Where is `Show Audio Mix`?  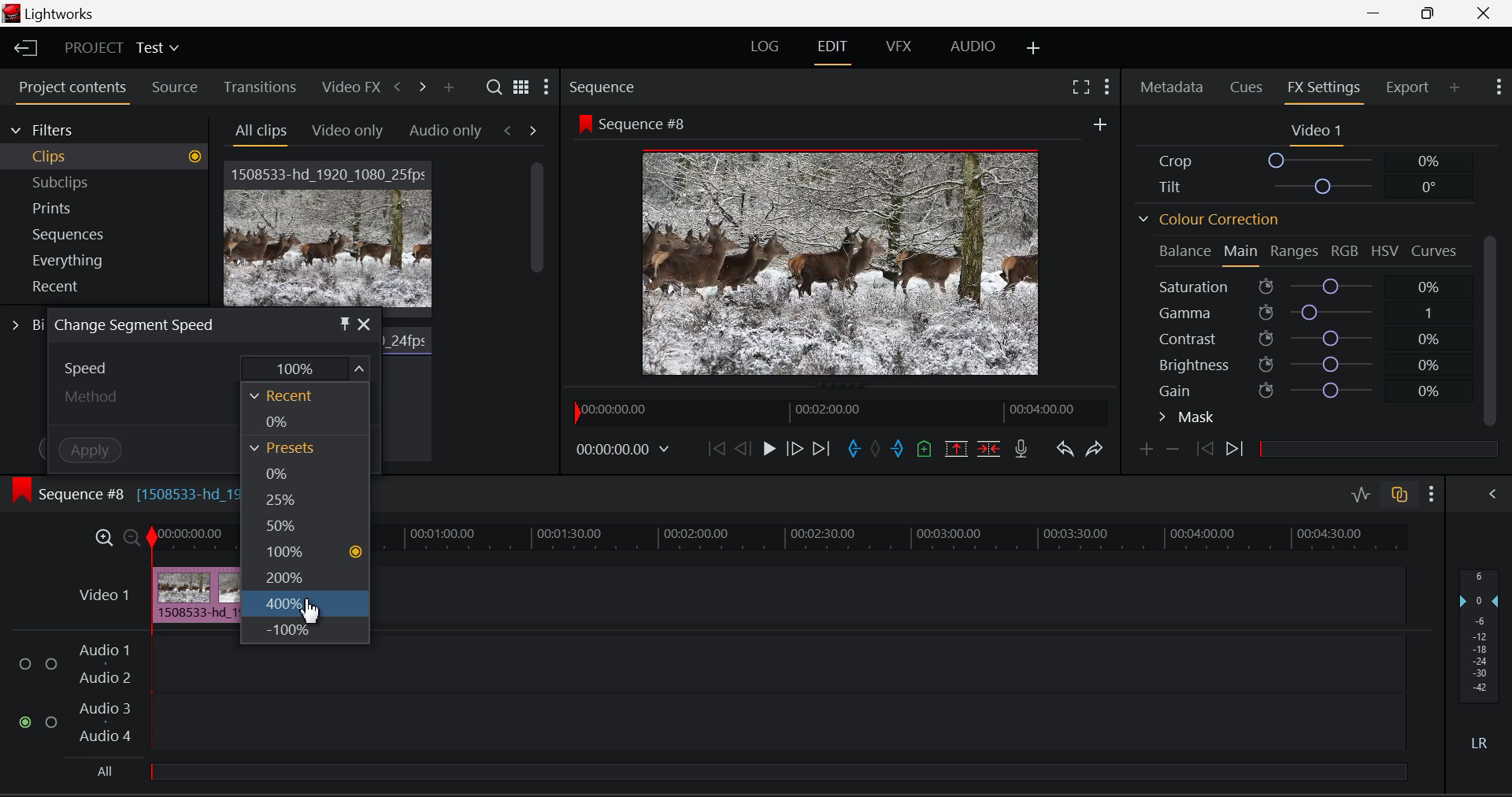
Show Audio Mix is located at coordinates (1496, 496).